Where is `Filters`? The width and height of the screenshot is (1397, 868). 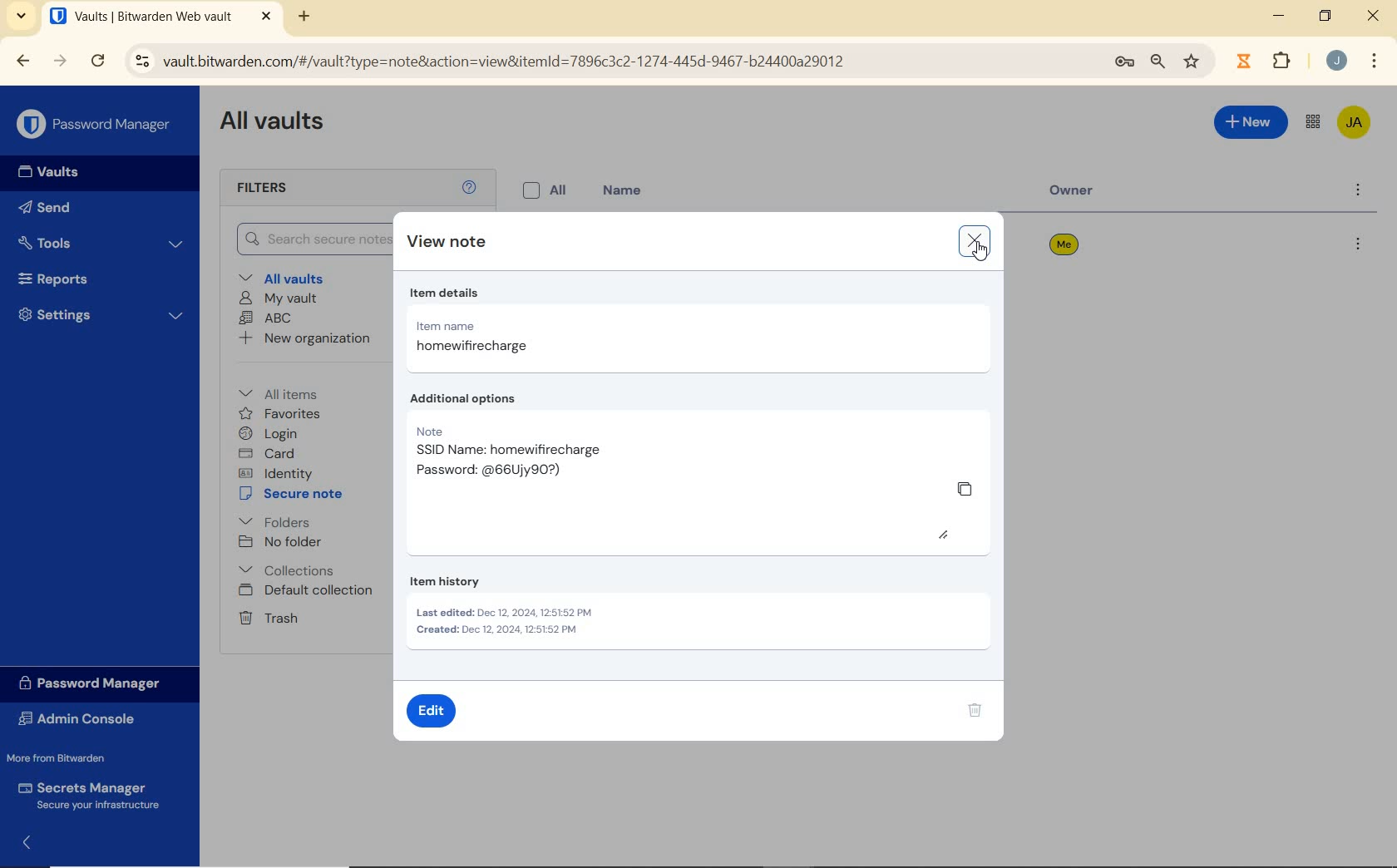 Filters is located at coordinates (281, 189).